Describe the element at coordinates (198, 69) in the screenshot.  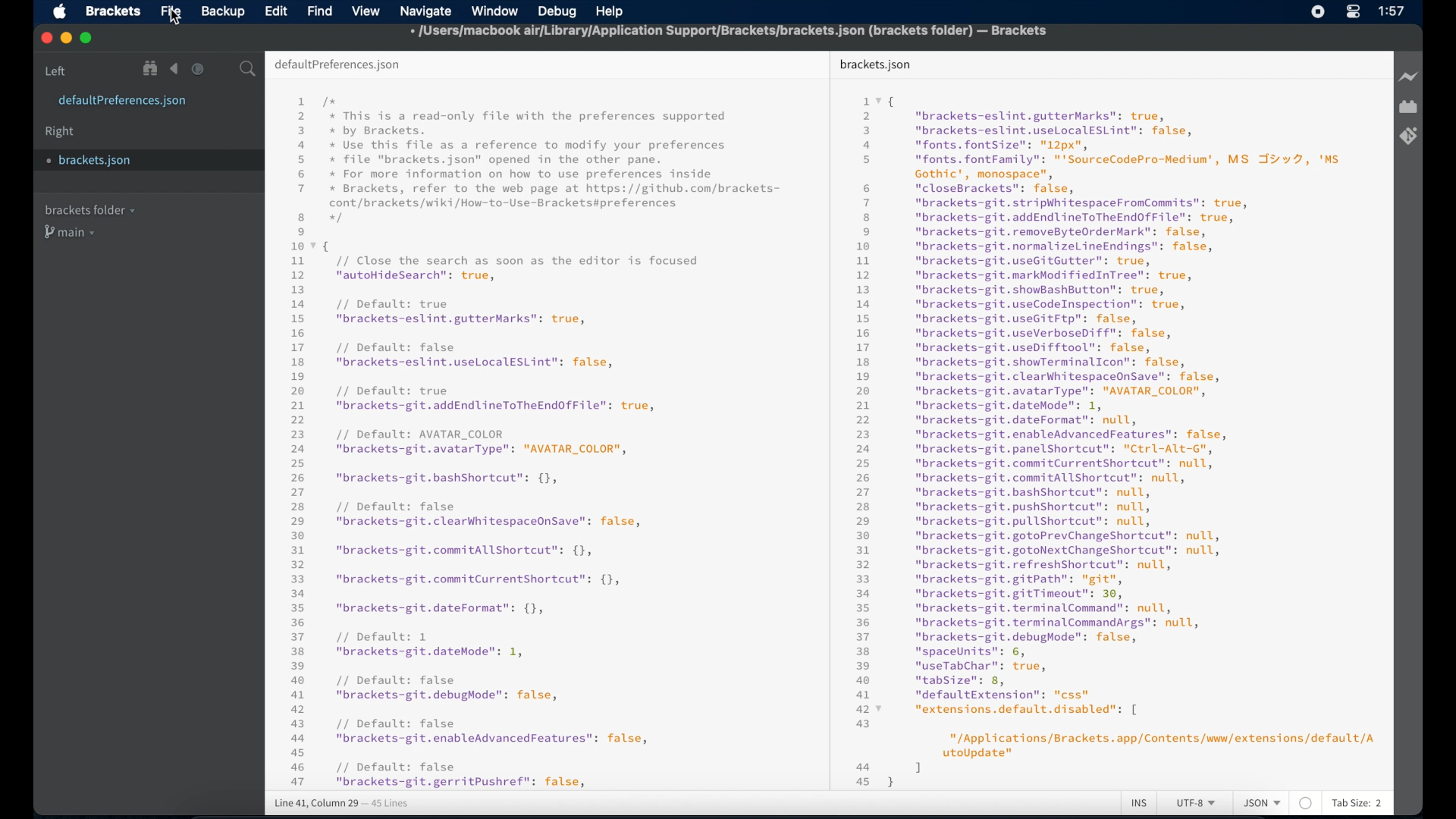
I see `navigate forward` at that location.